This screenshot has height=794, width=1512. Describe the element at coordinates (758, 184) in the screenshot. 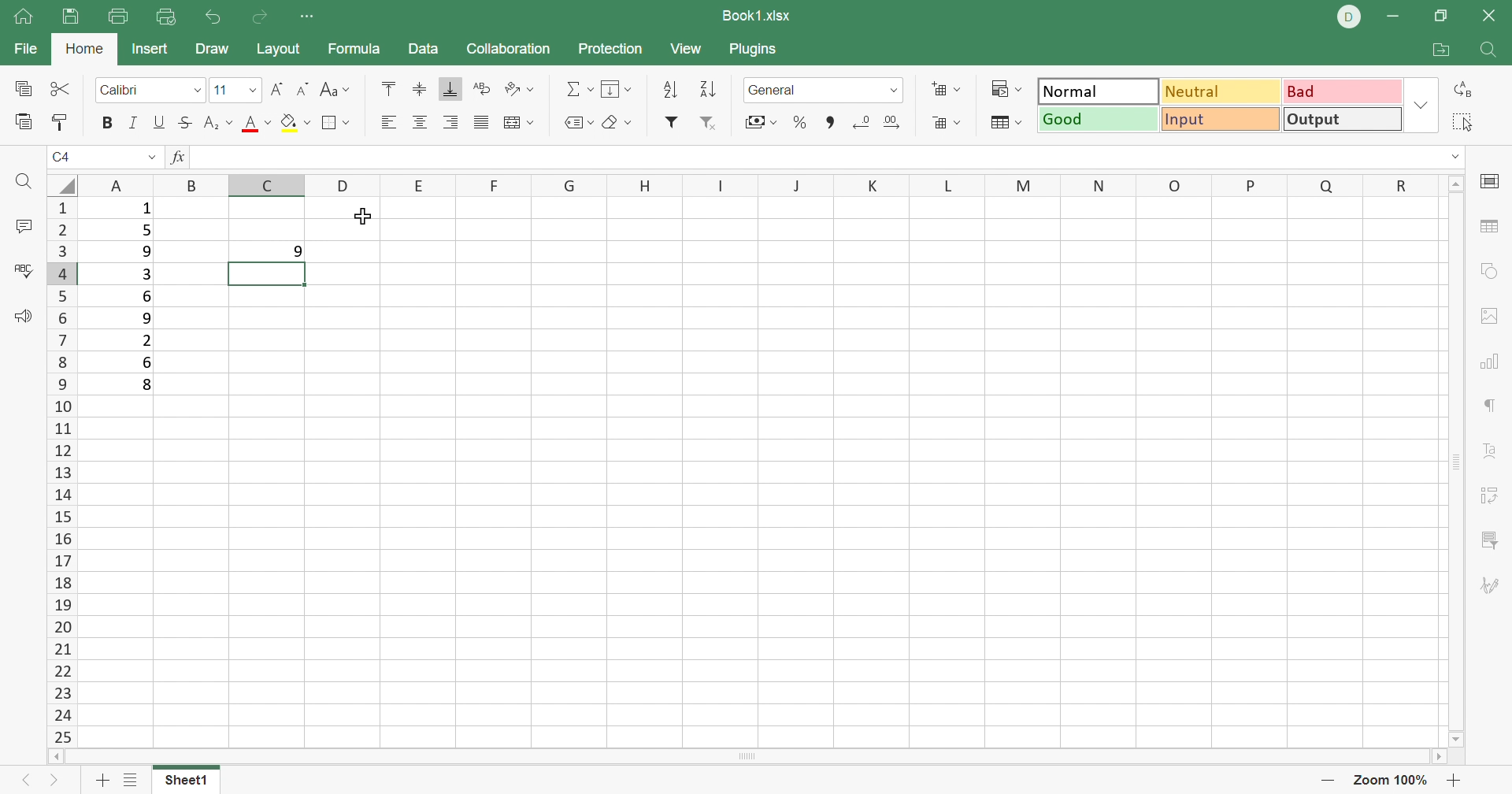

I see `Column names` at that location.